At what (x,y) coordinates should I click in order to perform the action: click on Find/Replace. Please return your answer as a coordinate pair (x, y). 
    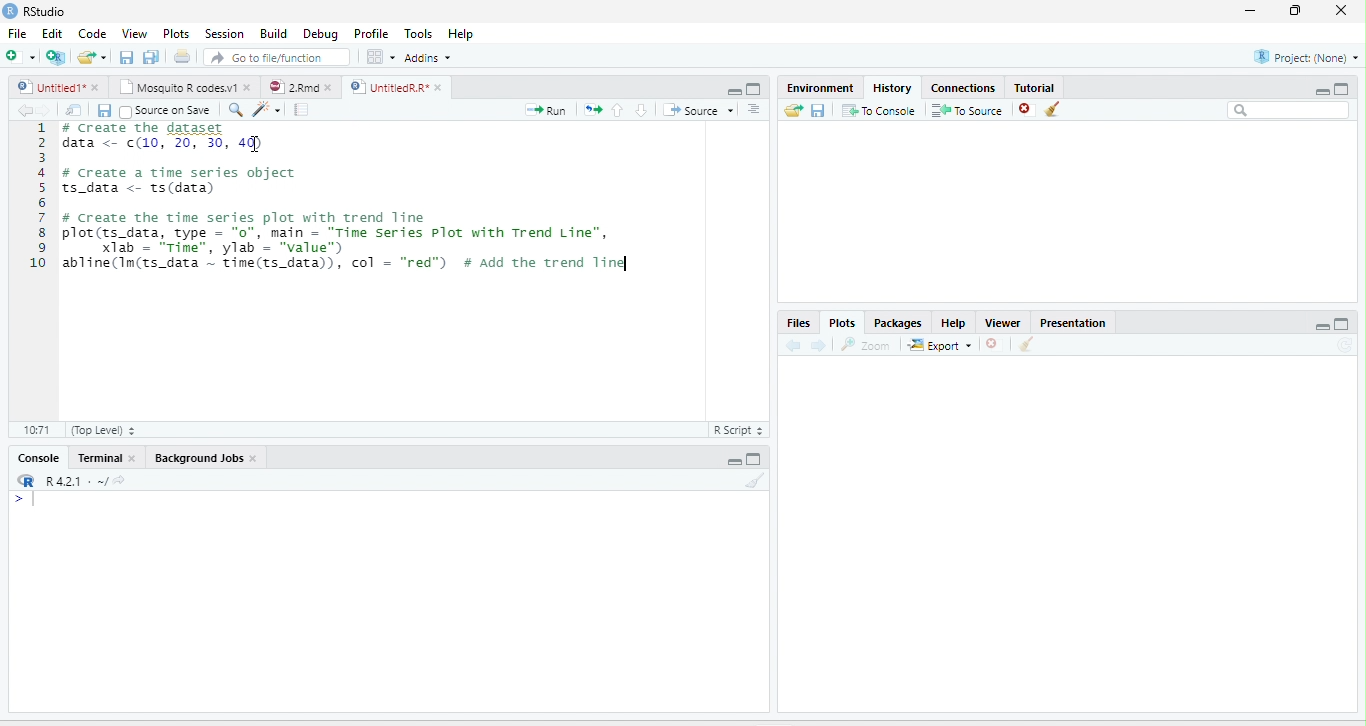
    Looking at the image, I should click on (236, 110).